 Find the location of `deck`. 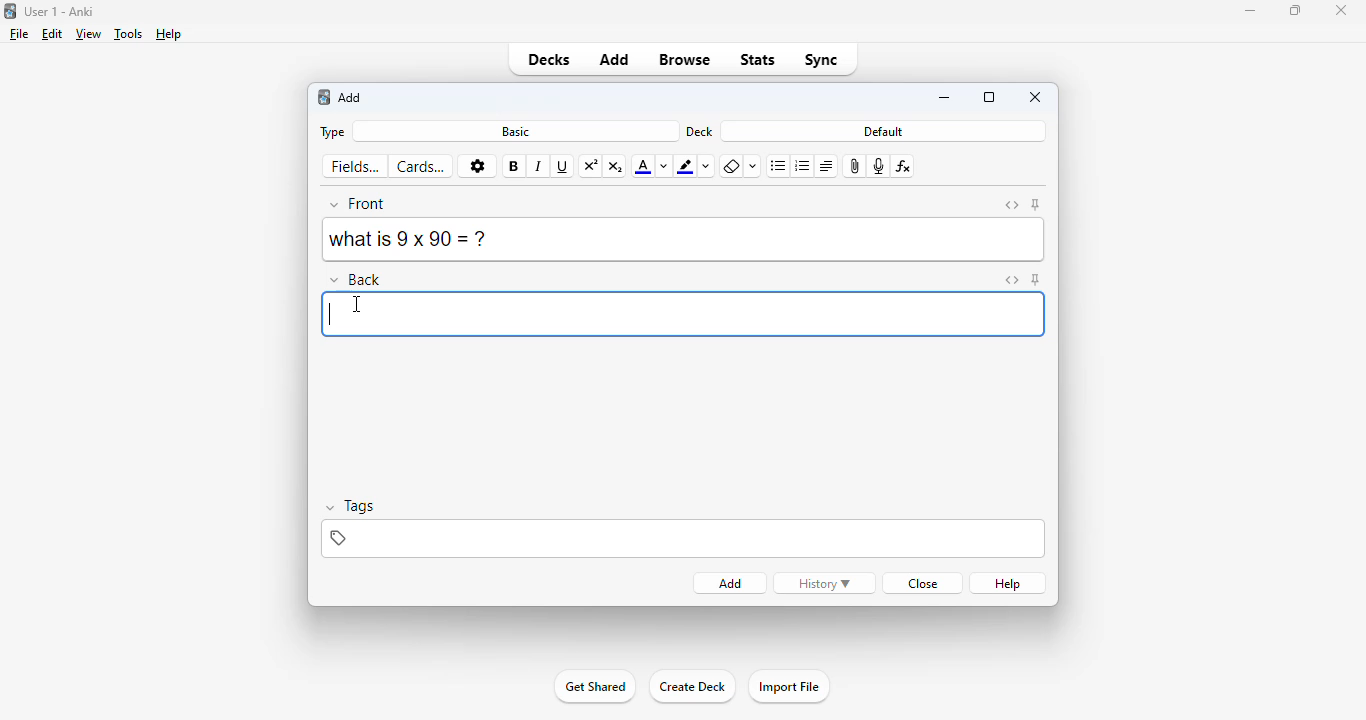

deck is located at coordinates (700, 131).